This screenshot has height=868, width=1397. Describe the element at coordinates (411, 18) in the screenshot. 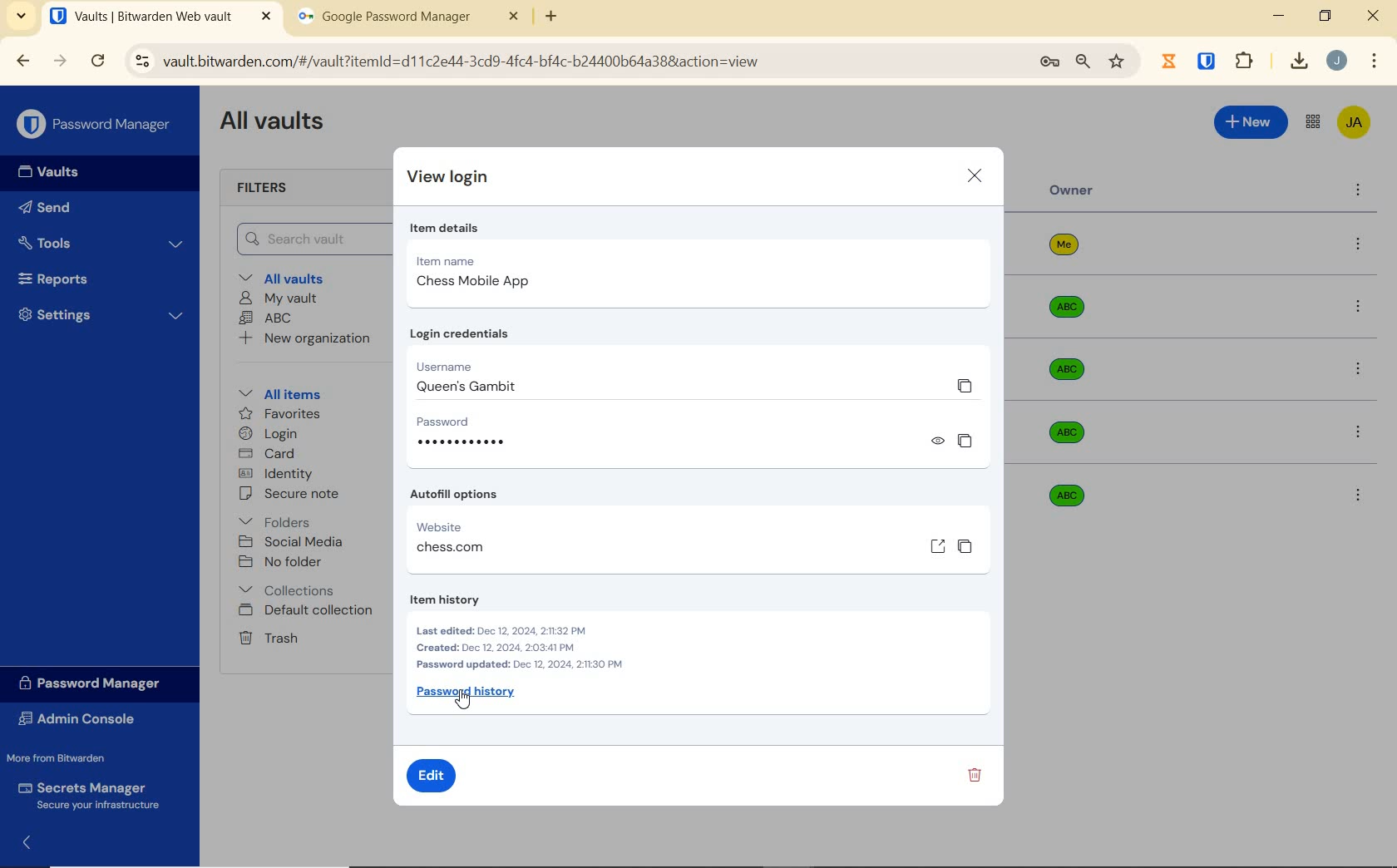

I see `tab` at that location.